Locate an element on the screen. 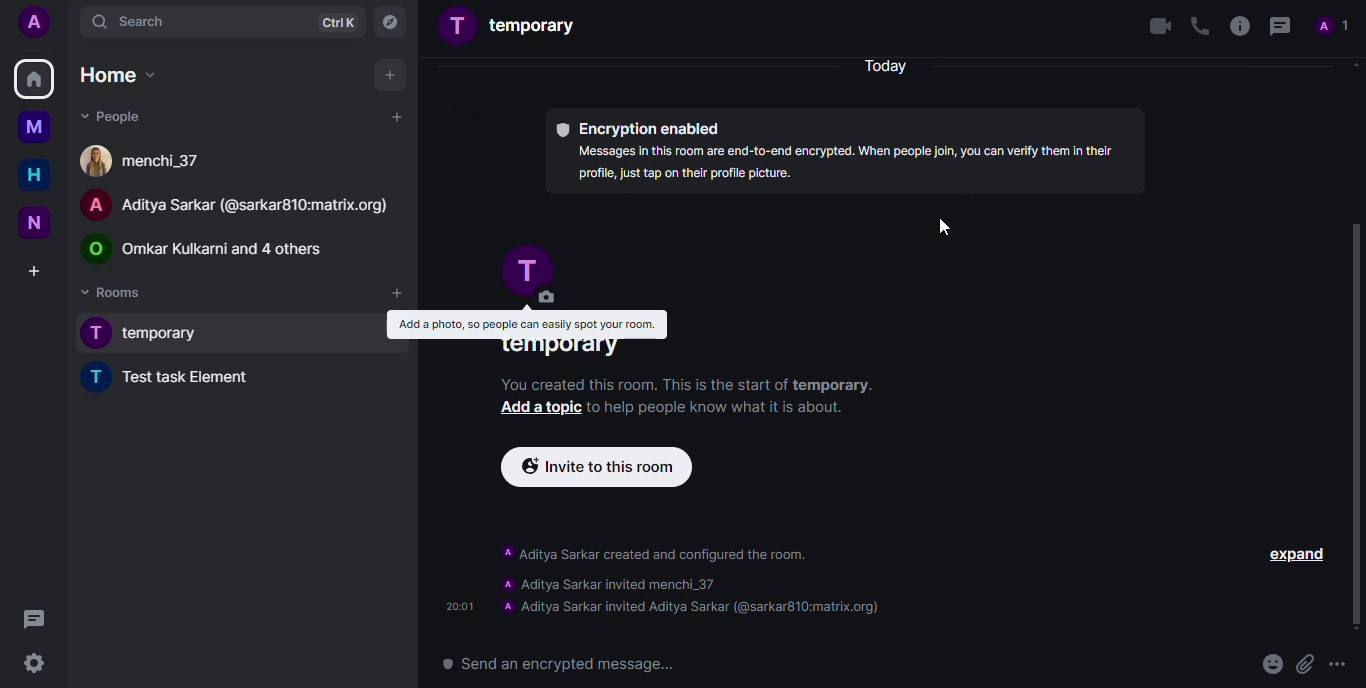  more is located at coordinates (1346, 664).